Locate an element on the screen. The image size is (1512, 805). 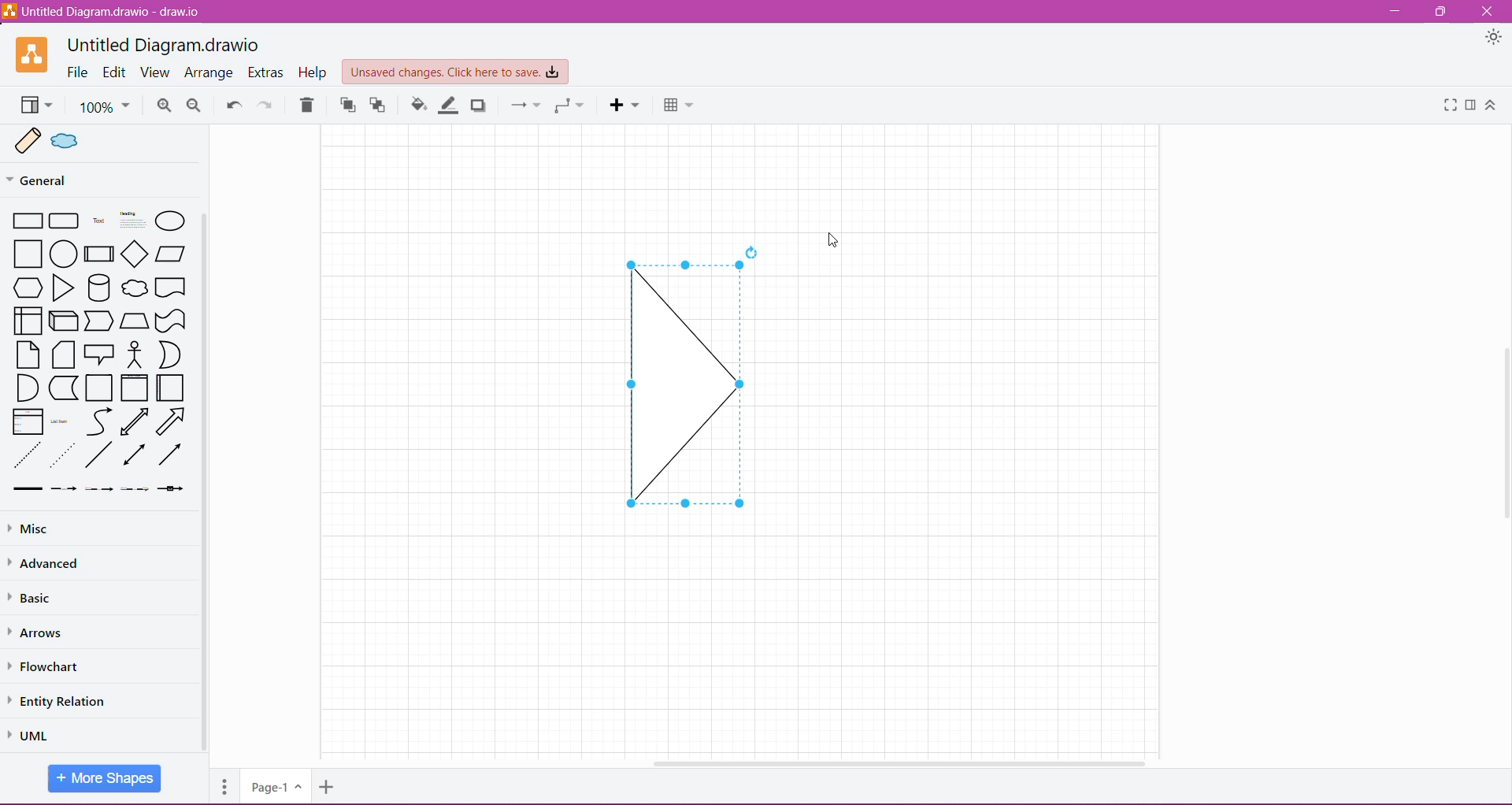
Table is located at coordinates (679, 106).